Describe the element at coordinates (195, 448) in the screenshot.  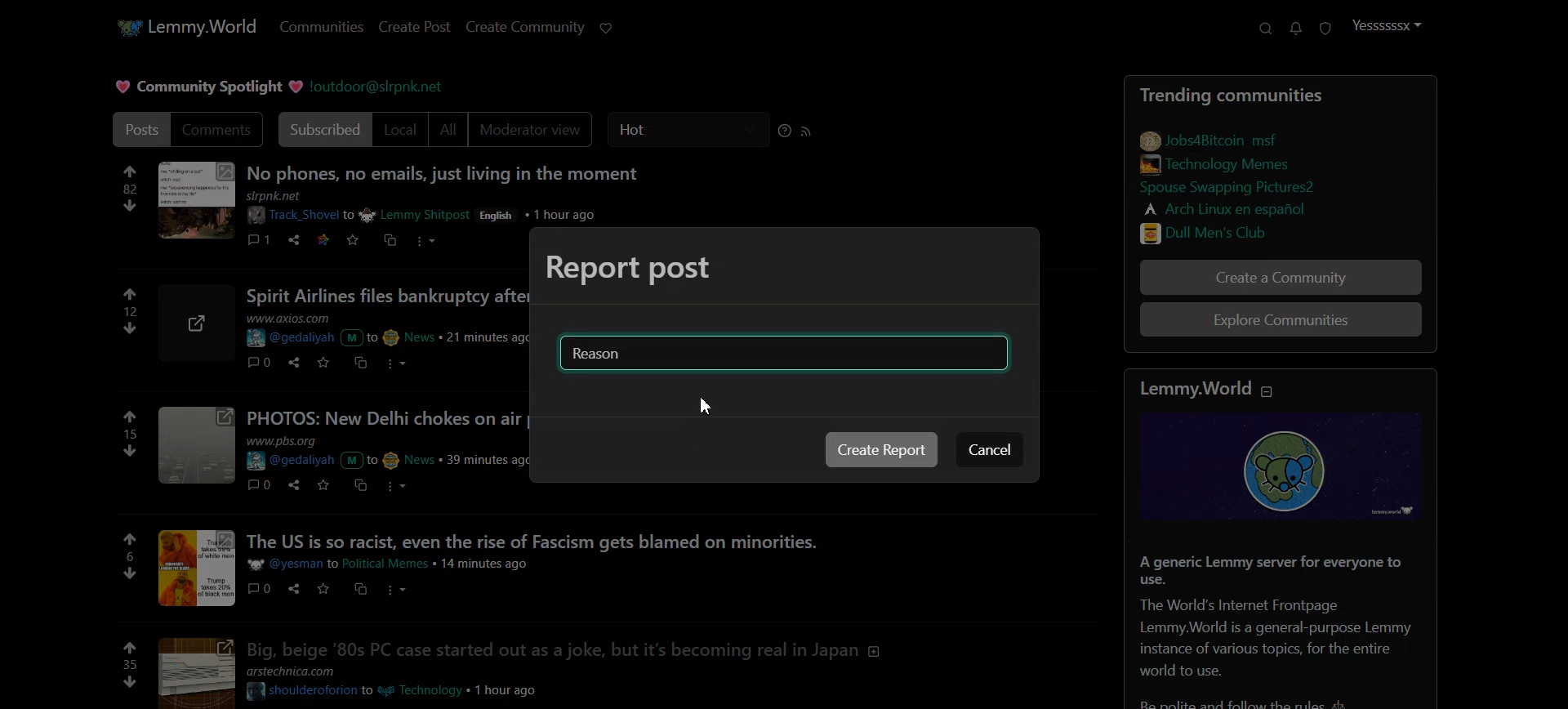
I see `image` at that location.